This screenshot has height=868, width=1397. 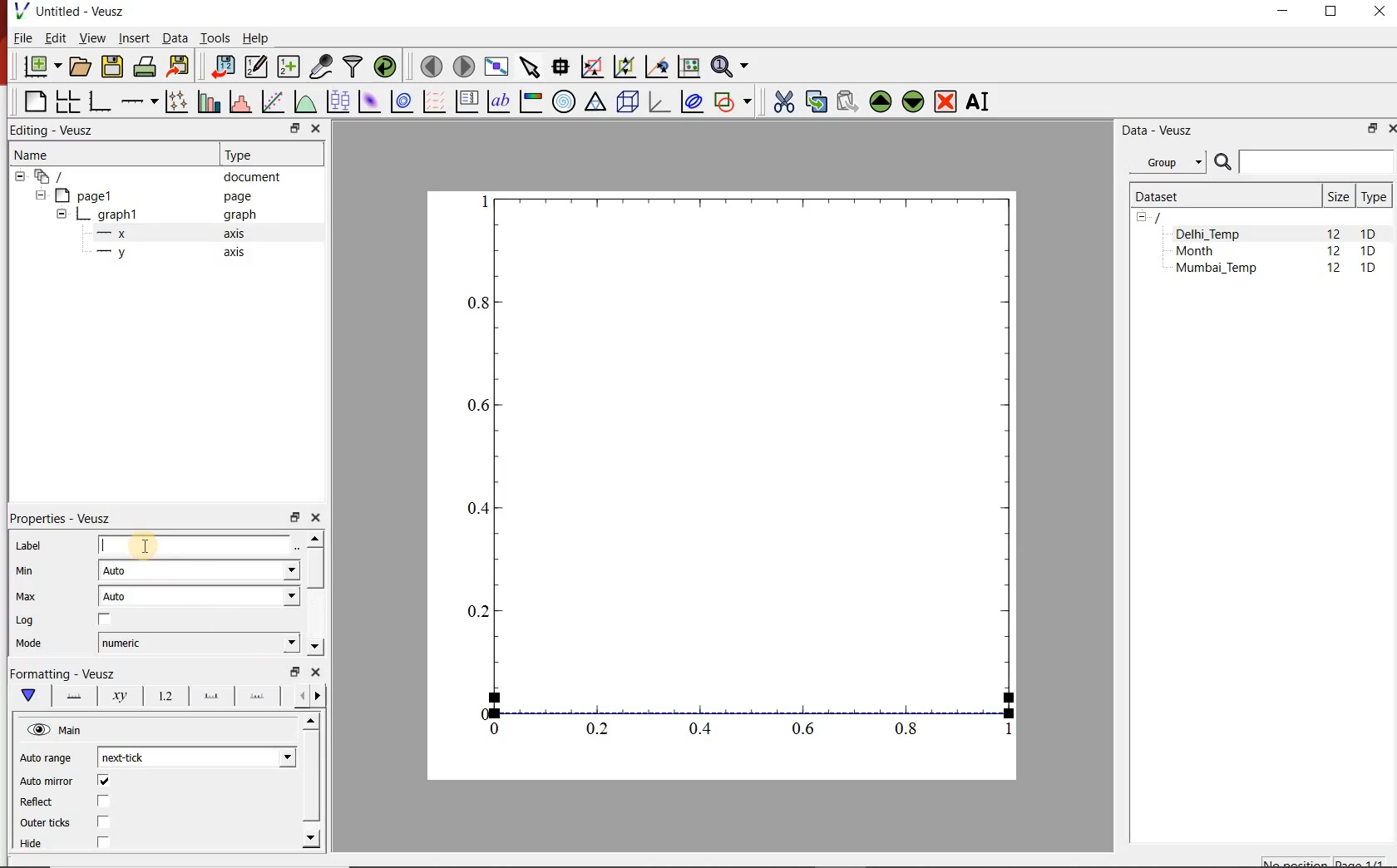 I want to click on zoom functions menu, so click(x=732, y=67).